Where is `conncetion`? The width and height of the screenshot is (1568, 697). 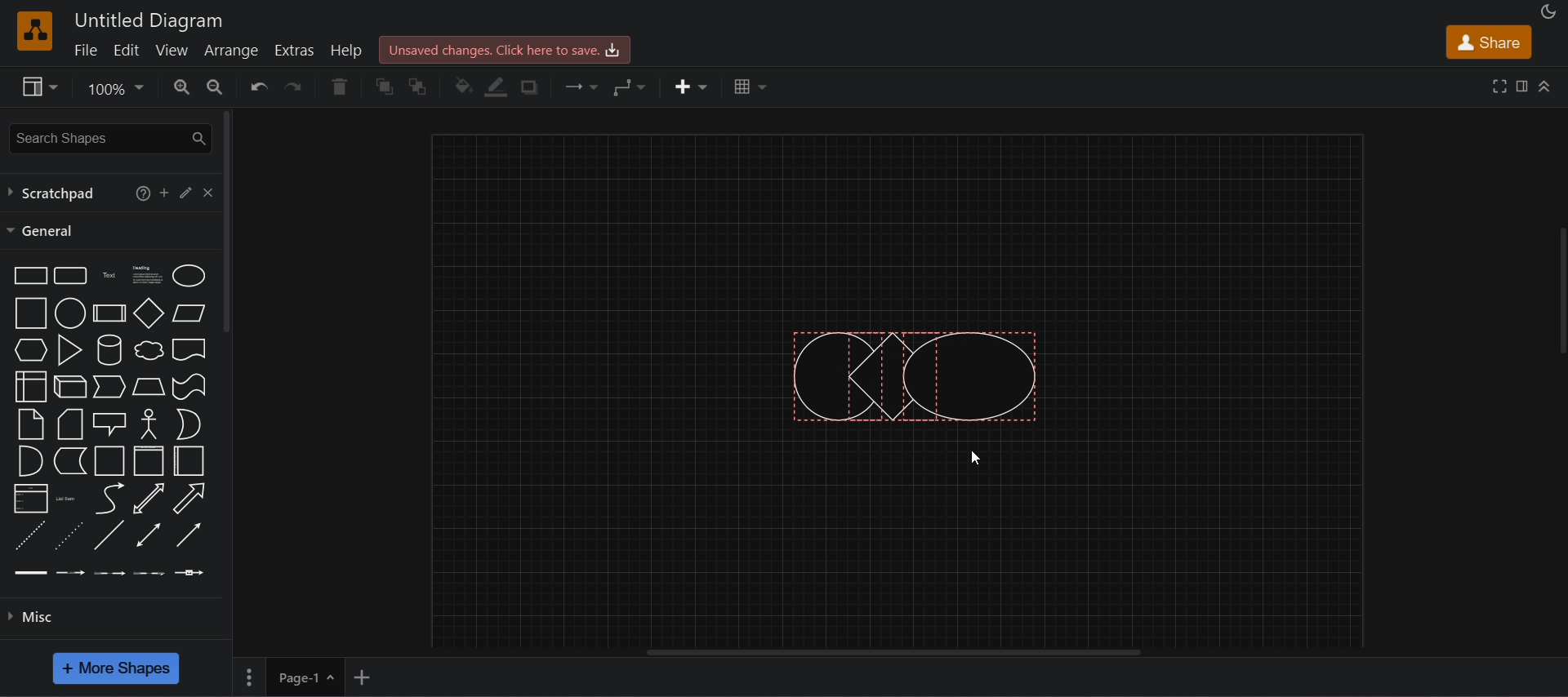 conncetion is located at coordinates (578, 85).